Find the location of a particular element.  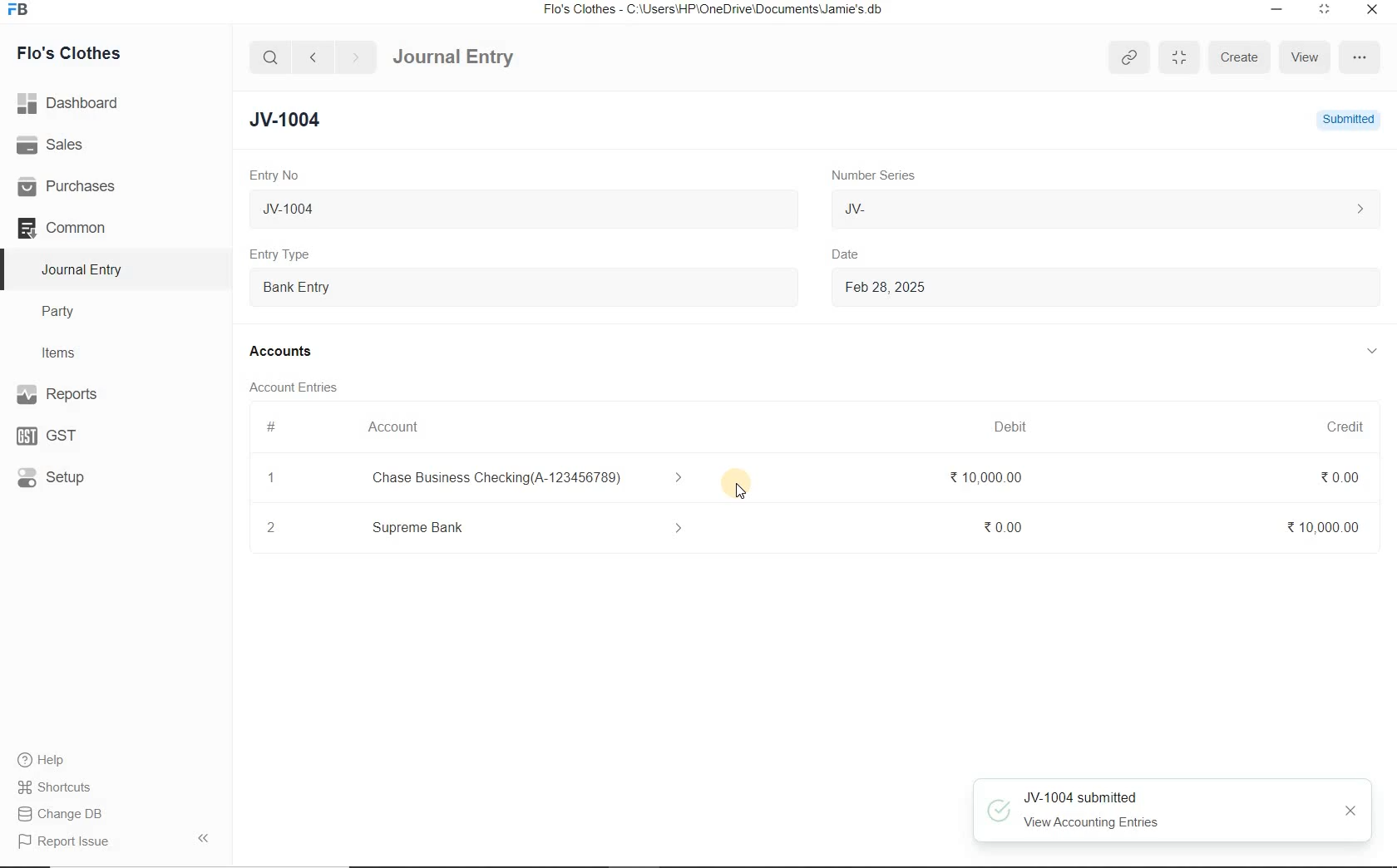

Chase Business Checking(A-123456789) is located at coordinates (534, 479).